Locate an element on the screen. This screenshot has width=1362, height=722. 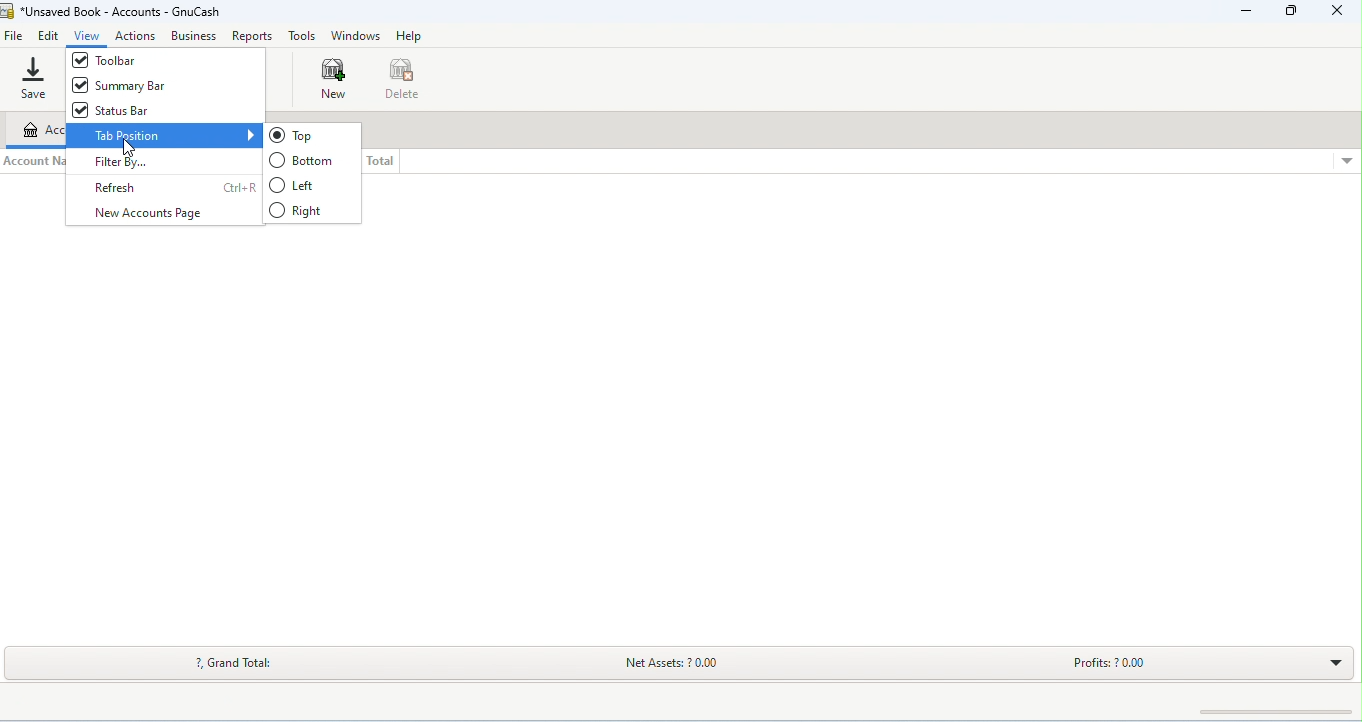
edit is located at coordinates (49, 37).